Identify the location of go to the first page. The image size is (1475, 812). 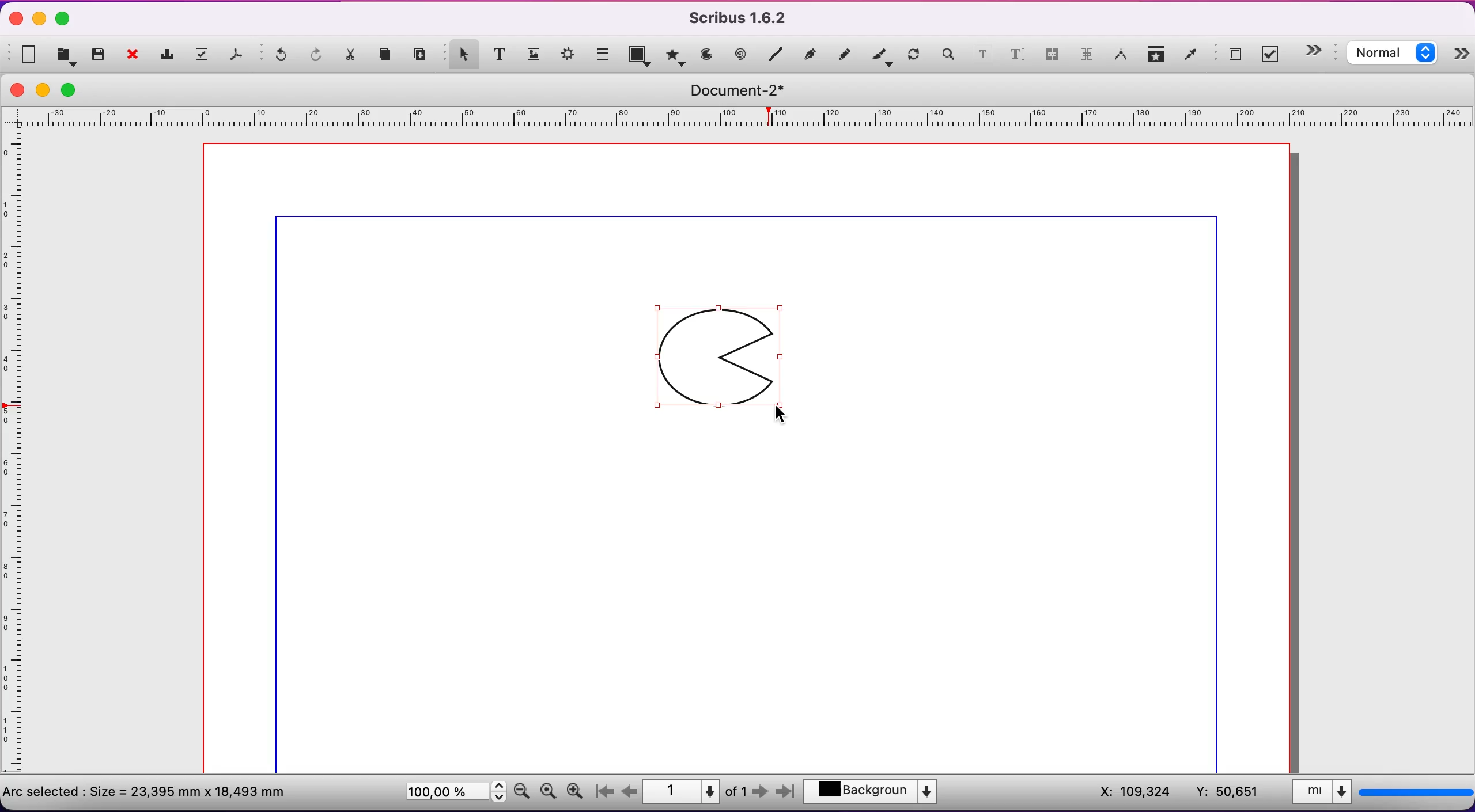
(608, 792).